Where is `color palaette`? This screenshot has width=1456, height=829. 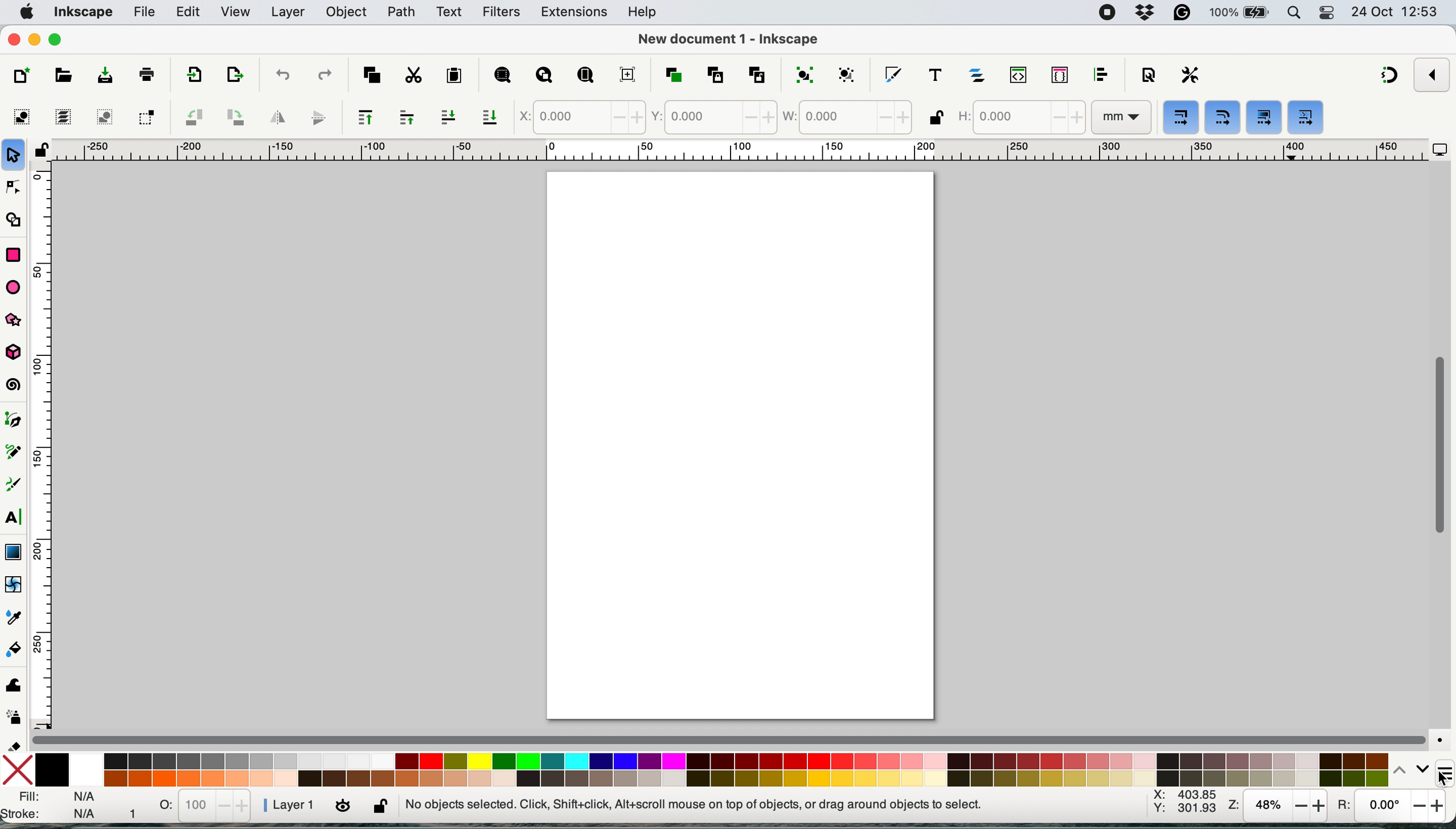 color palaette is located at coordinates (712, 768).